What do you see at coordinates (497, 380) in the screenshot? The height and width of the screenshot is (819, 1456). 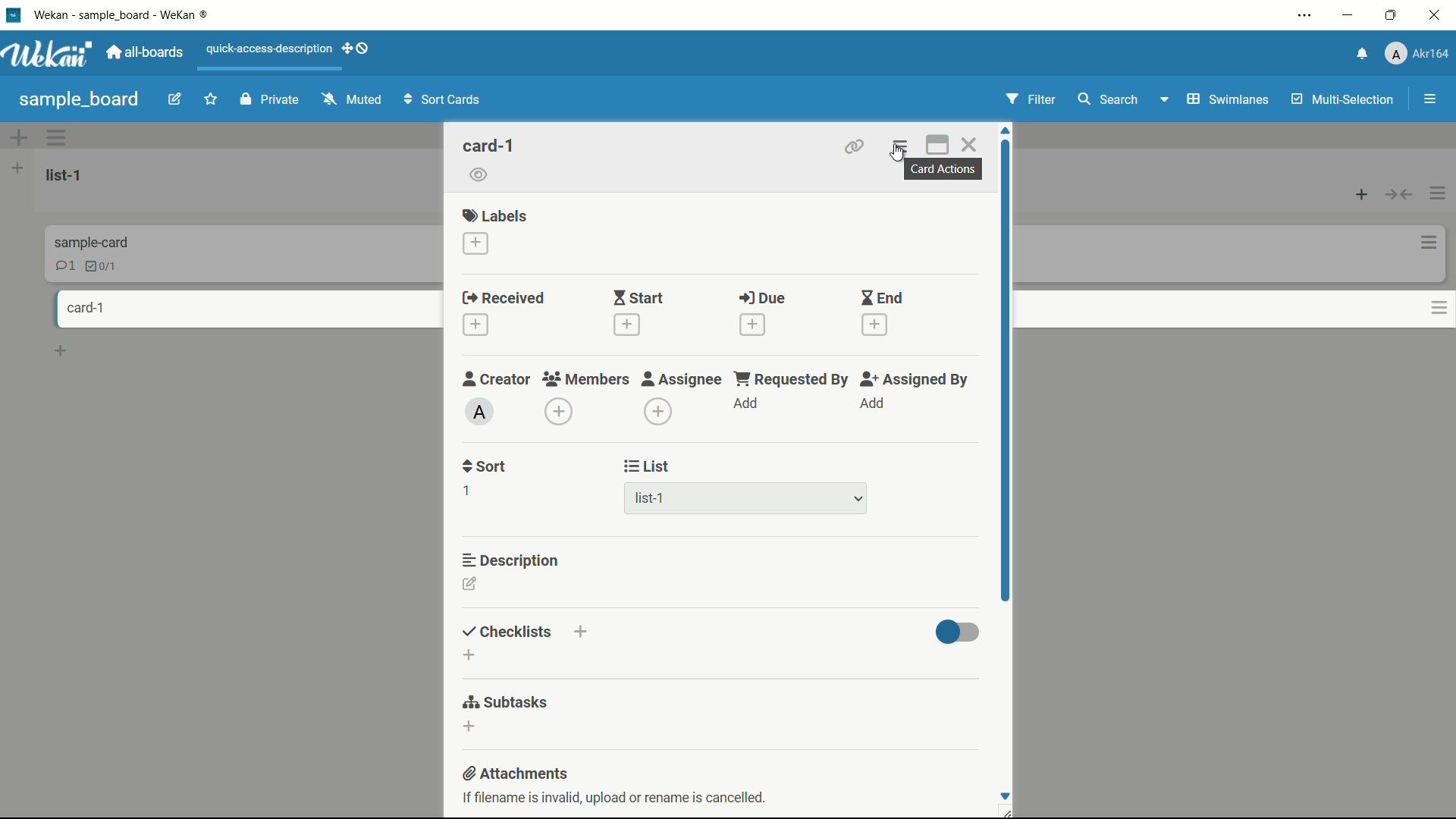 I see `creator` at bounding box center [497, 380].